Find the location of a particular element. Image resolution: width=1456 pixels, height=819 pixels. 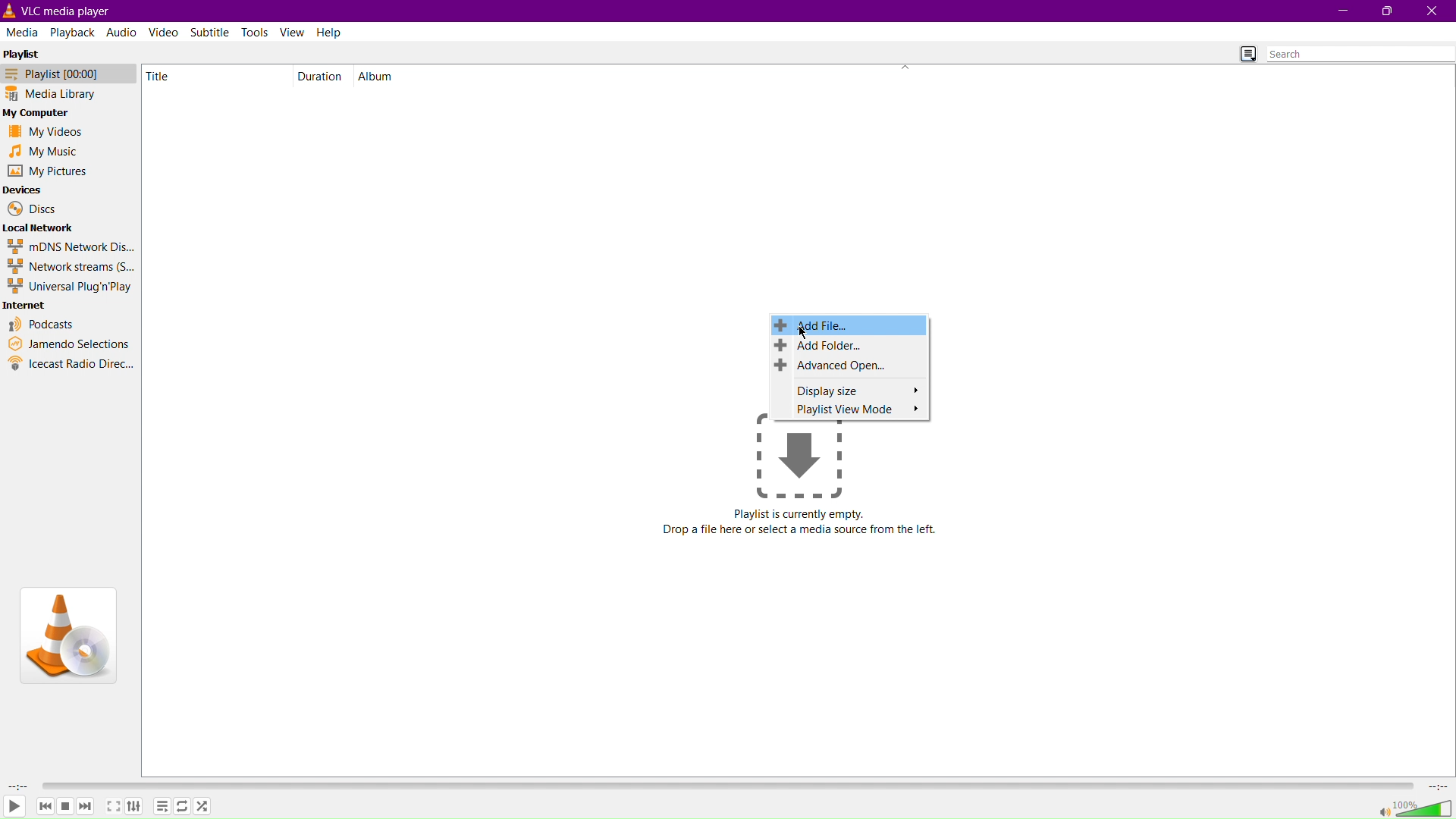

Podcasts is located at coordinates (42, 324).